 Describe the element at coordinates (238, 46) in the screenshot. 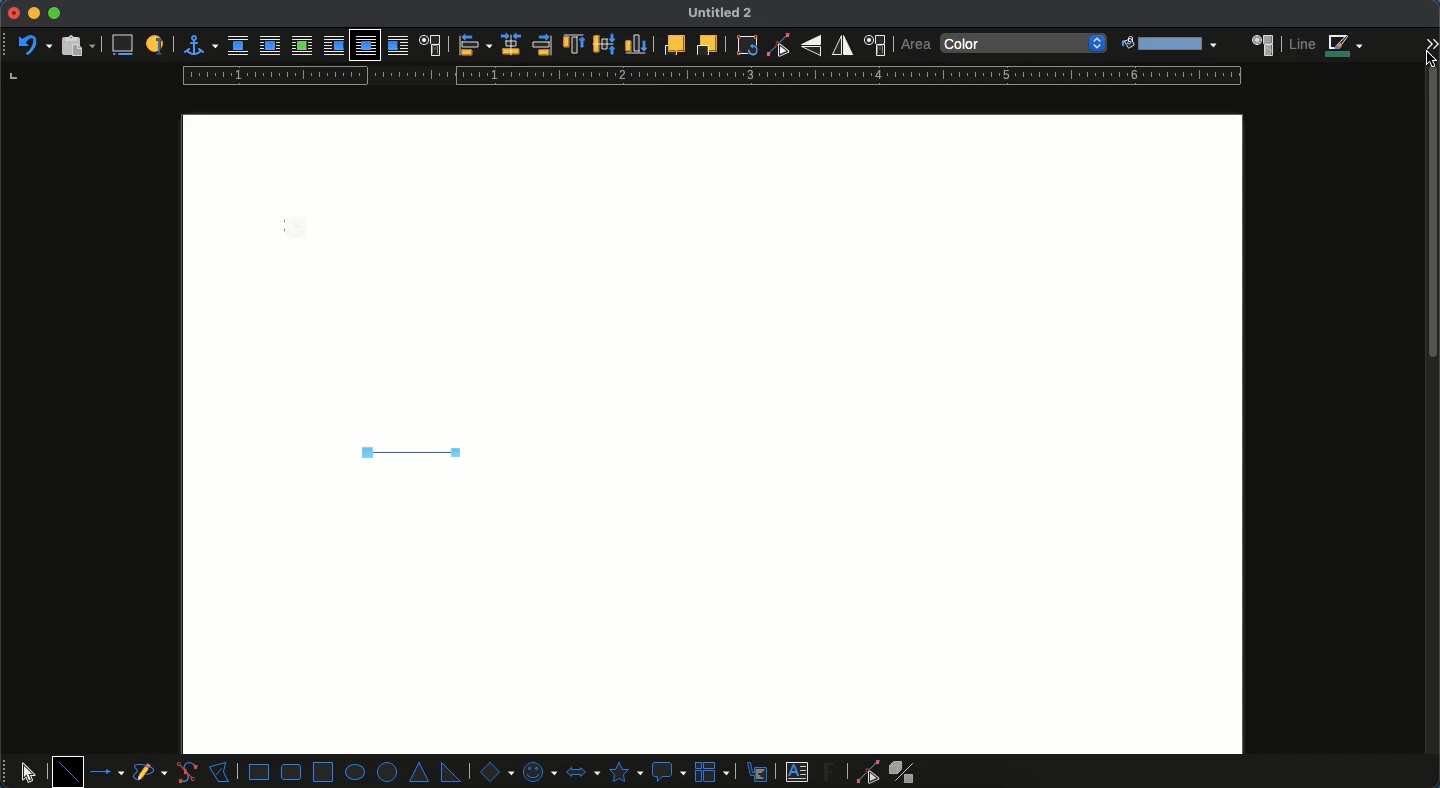

I see `none` at that location.